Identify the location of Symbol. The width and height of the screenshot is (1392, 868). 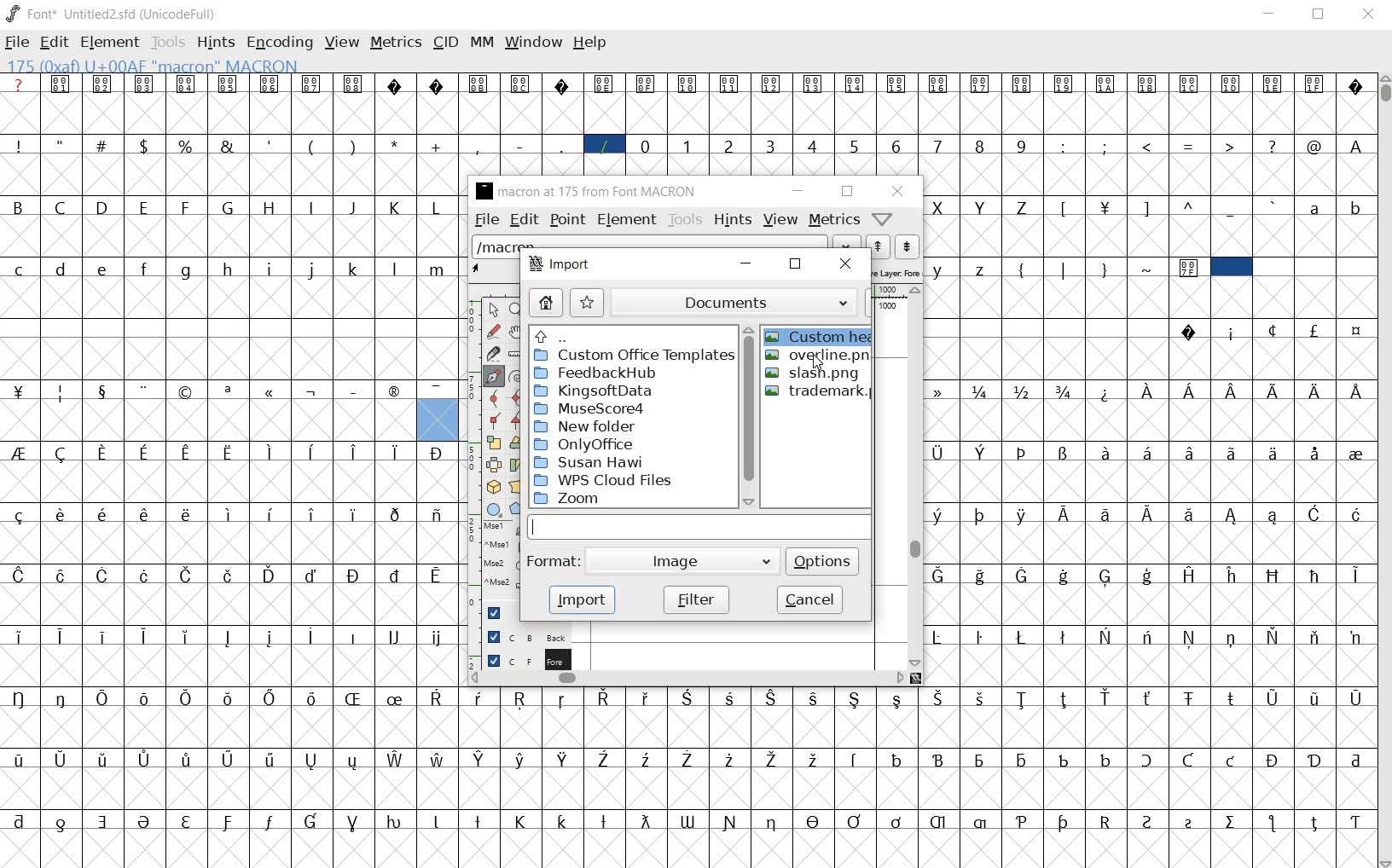
(395, 85).